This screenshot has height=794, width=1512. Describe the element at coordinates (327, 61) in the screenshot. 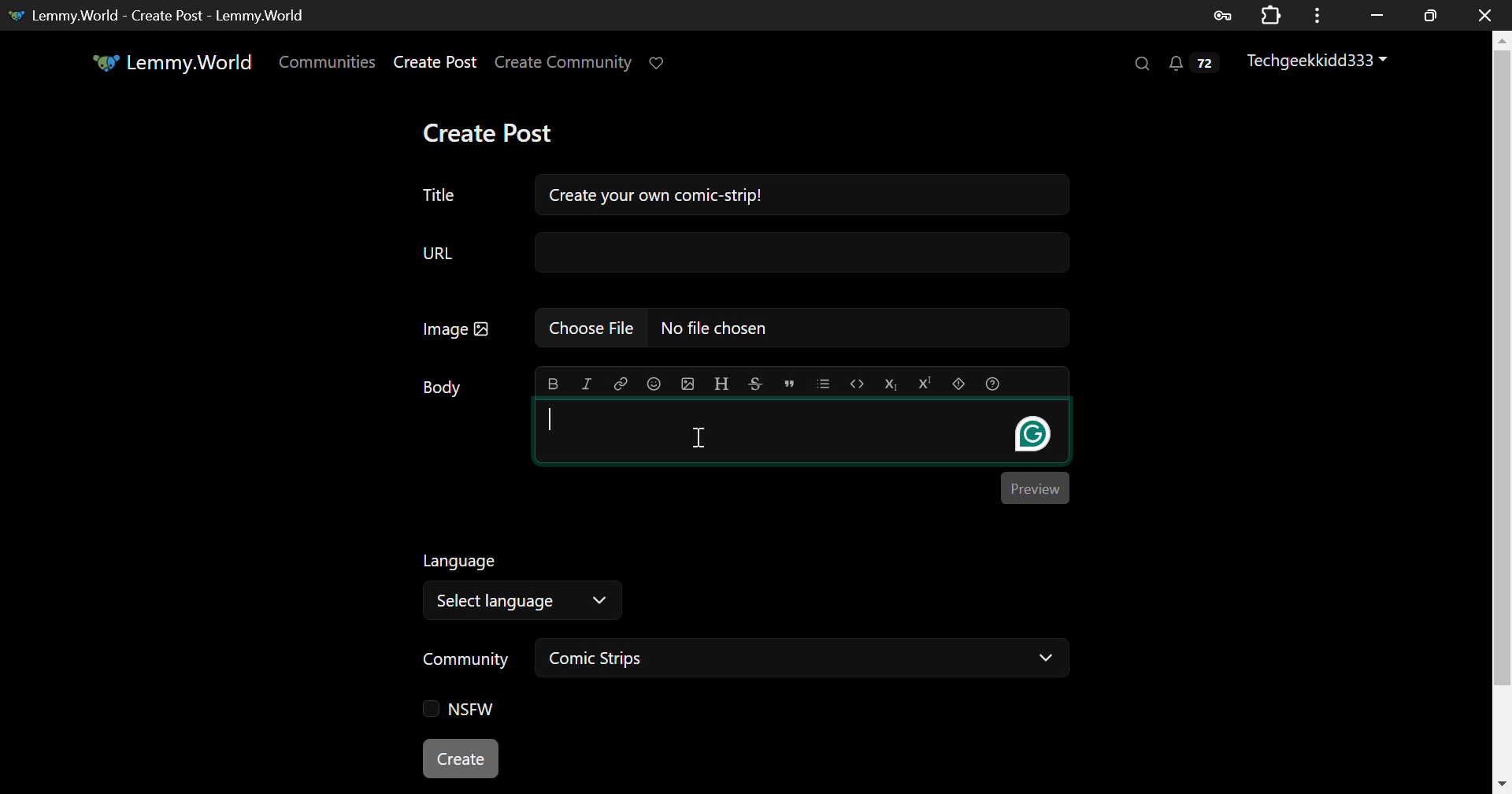

I see `Communities Page Hyperlink` at that location.